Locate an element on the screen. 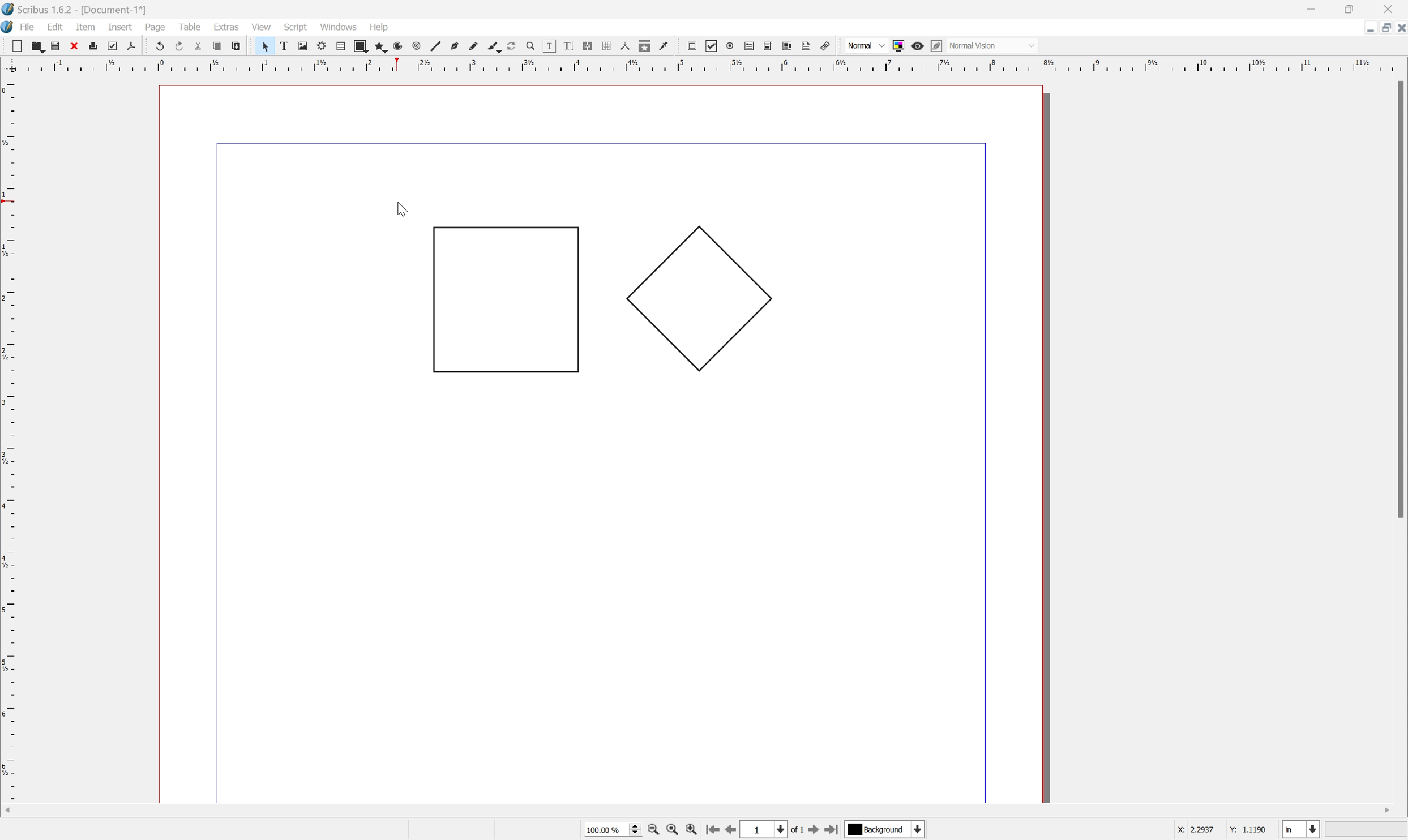  Select current layer is located at coordinates (889, 829).